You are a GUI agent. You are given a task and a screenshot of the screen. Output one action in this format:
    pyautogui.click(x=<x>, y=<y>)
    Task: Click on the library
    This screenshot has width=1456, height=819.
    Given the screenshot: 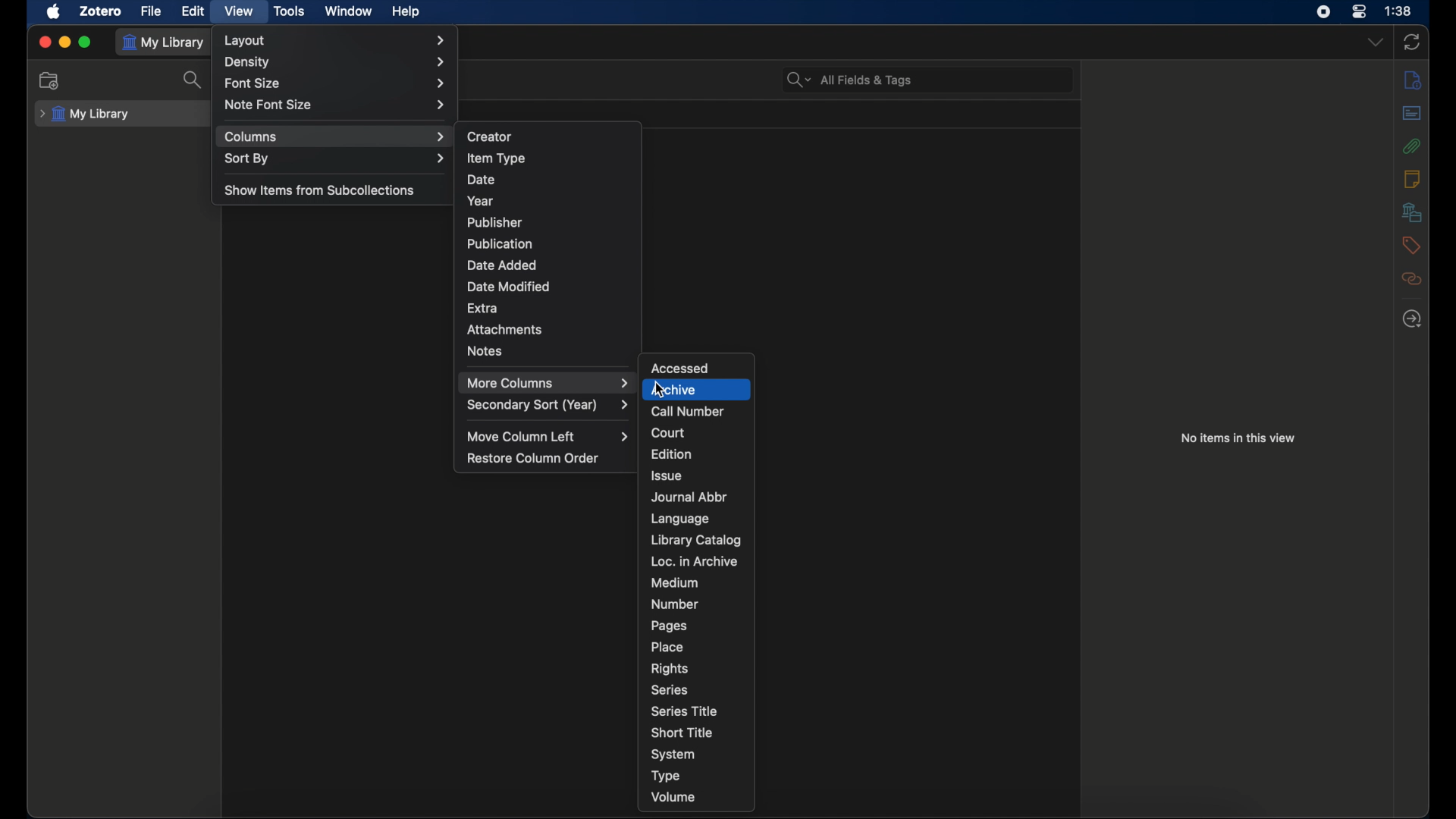 What is the action you would take?
    pyautogui.click(x=1412, y=212)
    